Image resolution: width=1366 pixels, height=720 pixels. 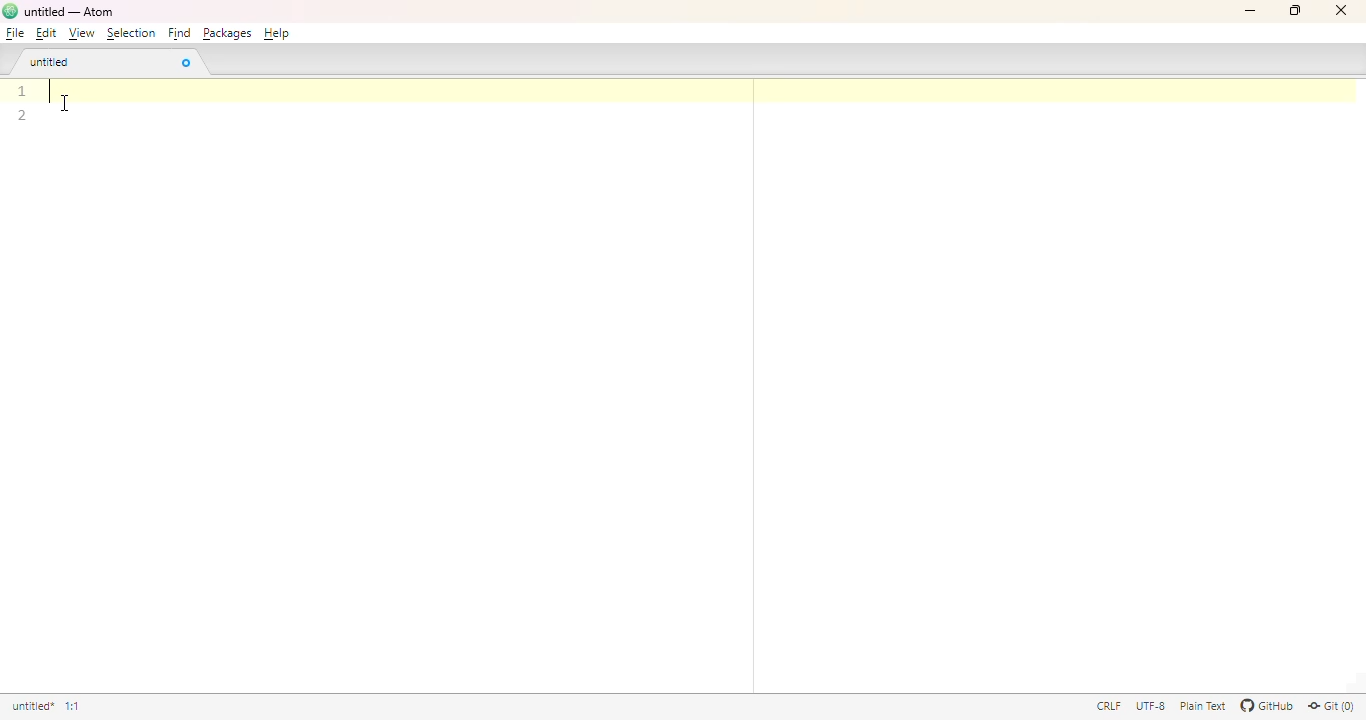 I want to click on file, so click(x=16, y=33).